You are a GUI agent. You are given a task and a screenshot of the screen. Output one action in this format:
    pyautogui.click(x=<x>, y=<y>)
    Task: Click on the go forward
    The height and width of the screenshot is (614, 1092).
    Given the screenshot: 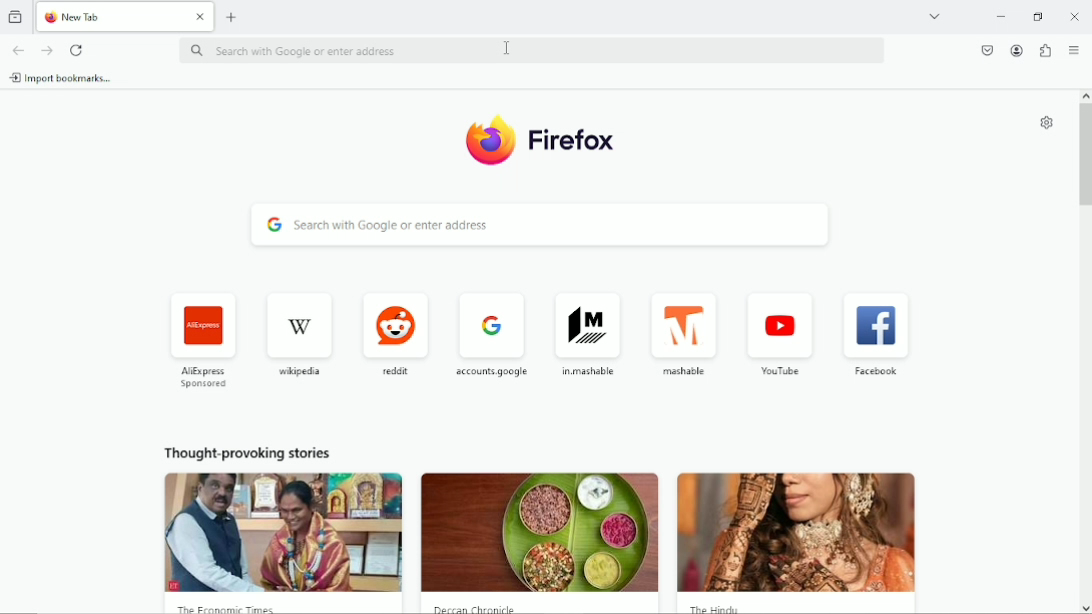 What is the action you would take?
    pyautogui.click(x=46, y=50)
    